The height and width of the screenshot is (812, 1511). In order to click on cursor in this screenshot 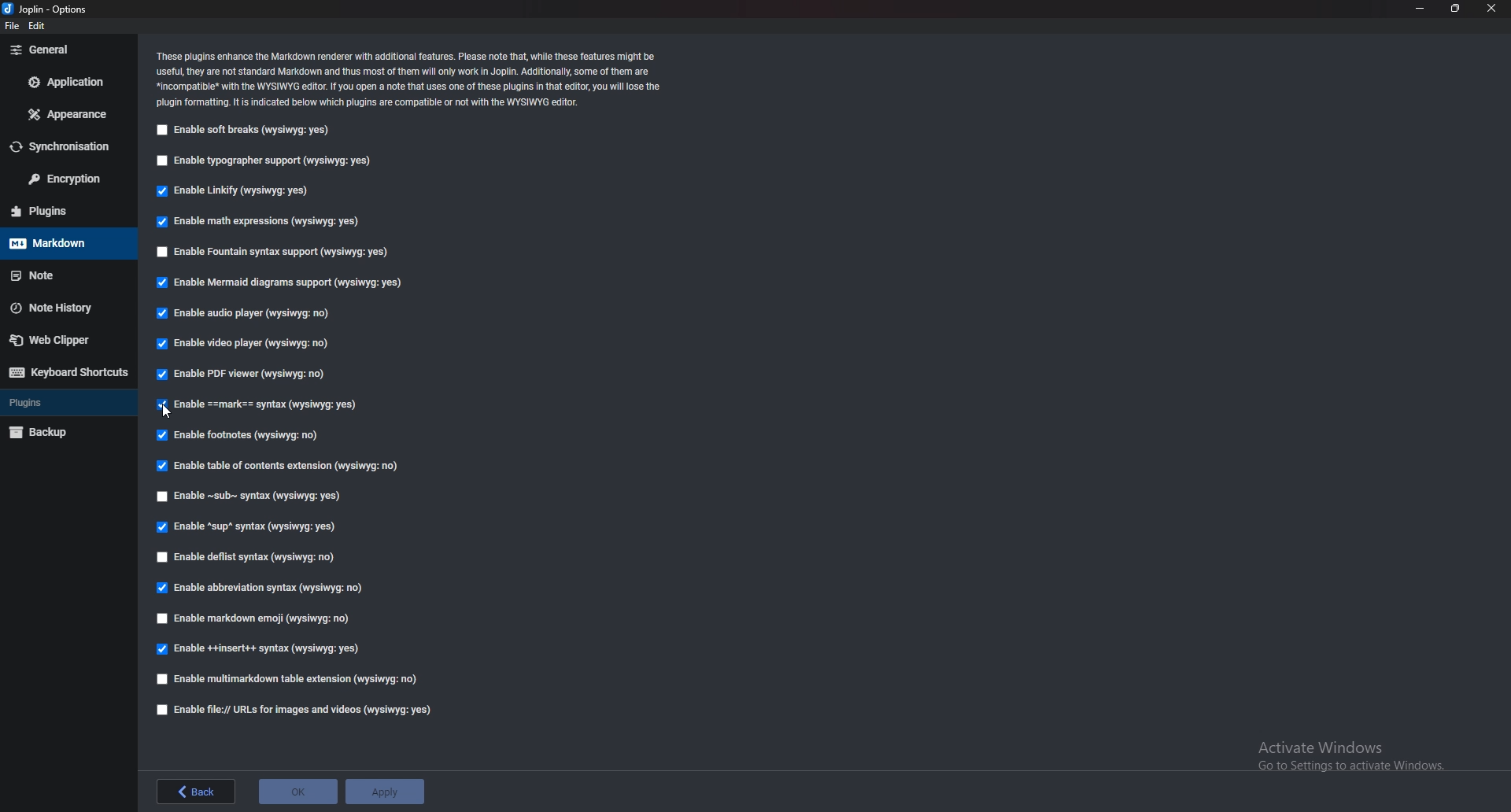, I will do `click(166, 412)`.